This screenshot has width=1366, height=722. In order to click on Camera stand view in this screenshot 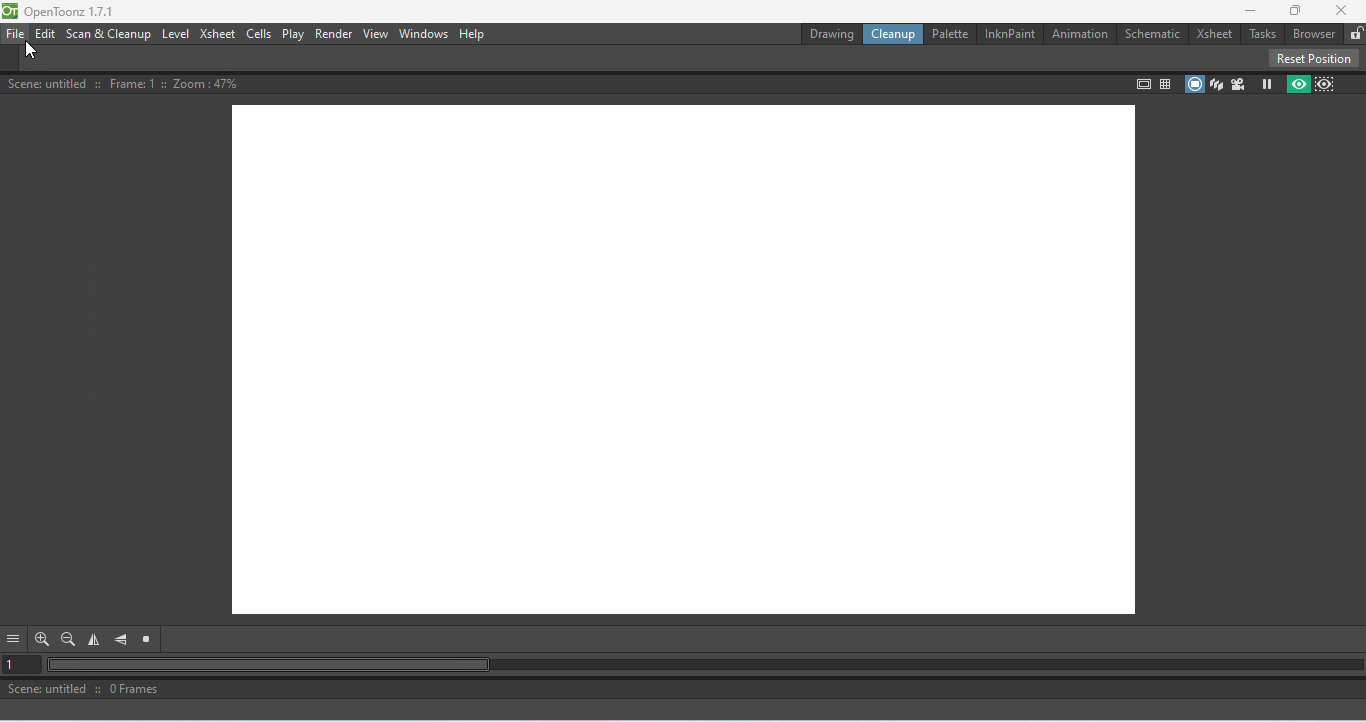, I will do `click(1193, 82)`.